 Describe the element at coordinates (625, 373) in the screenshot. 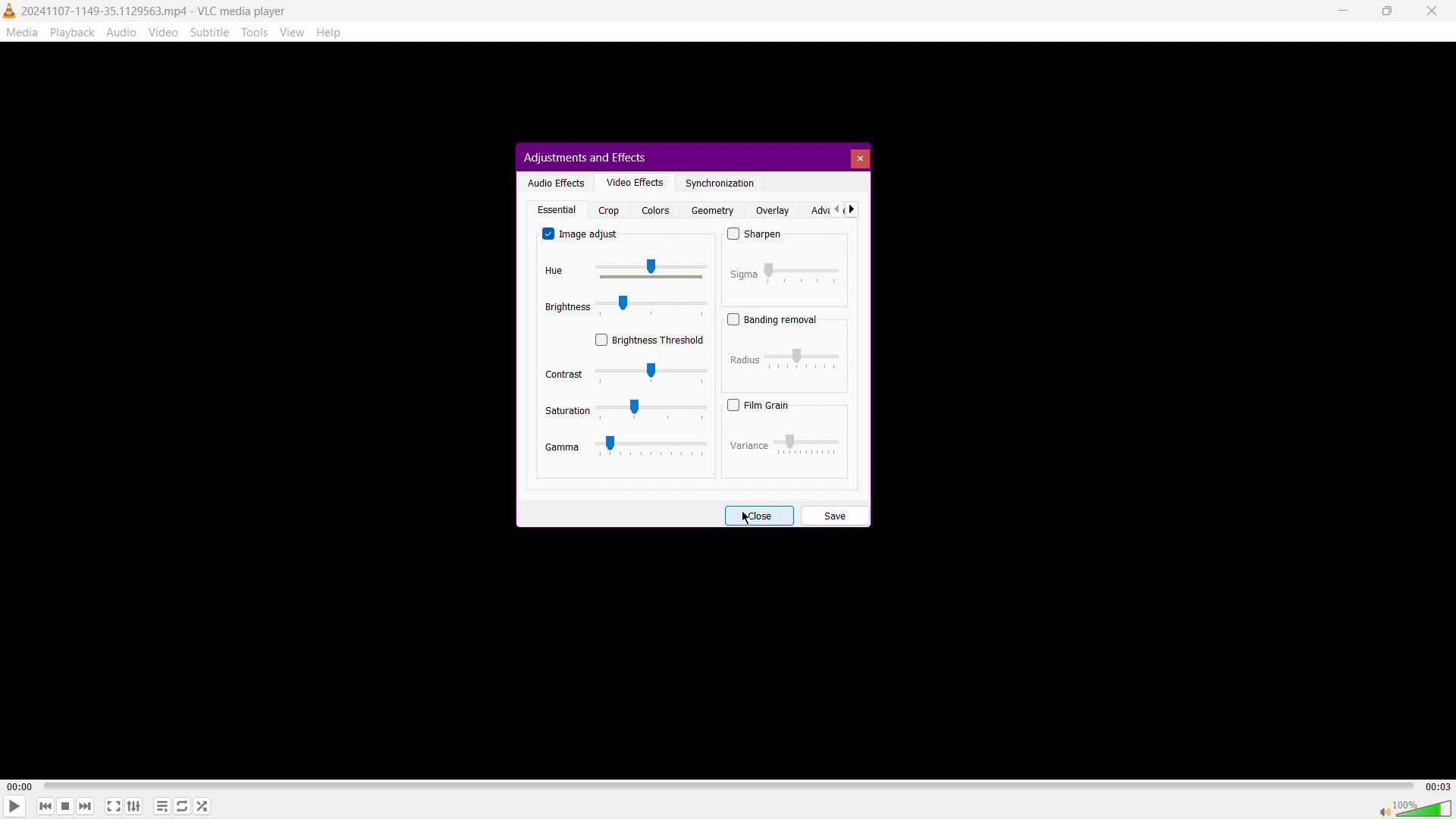

I see `Contrast` at that location.